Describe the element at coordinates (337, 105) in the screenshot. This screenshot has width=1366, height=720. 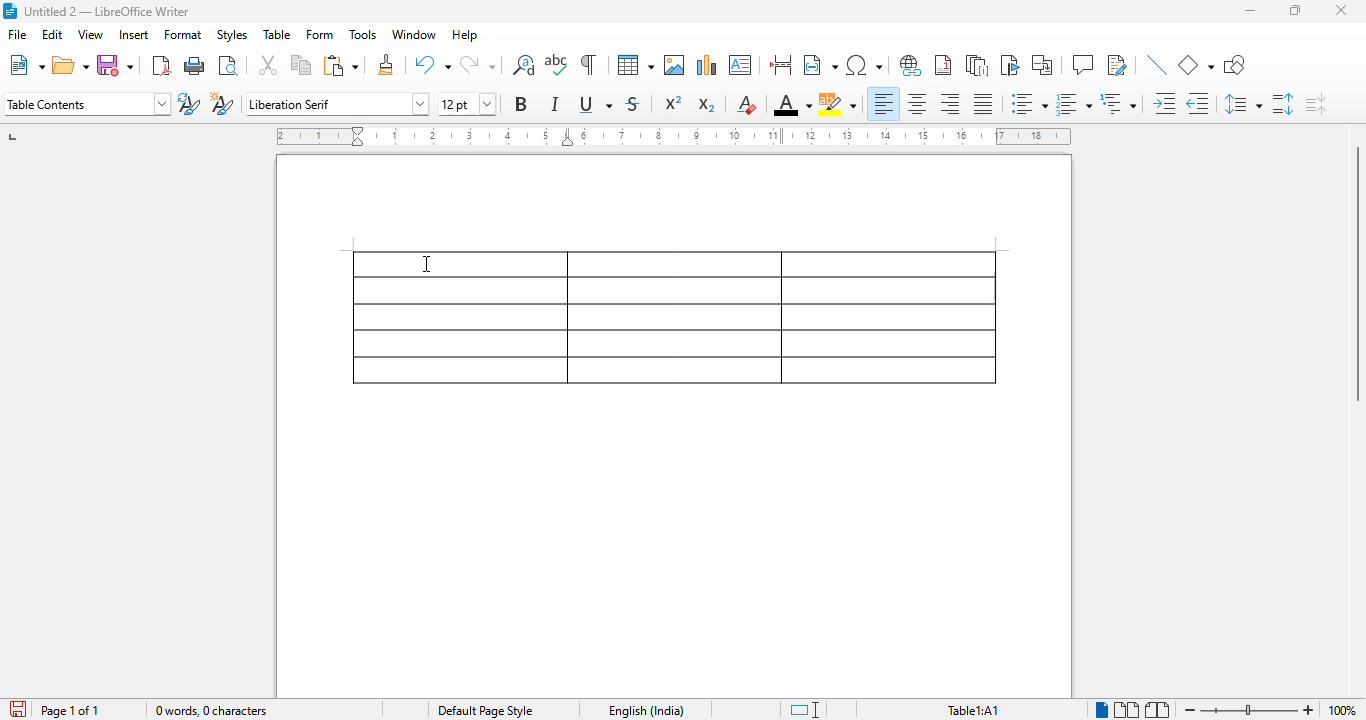
I see `font name` at that location.